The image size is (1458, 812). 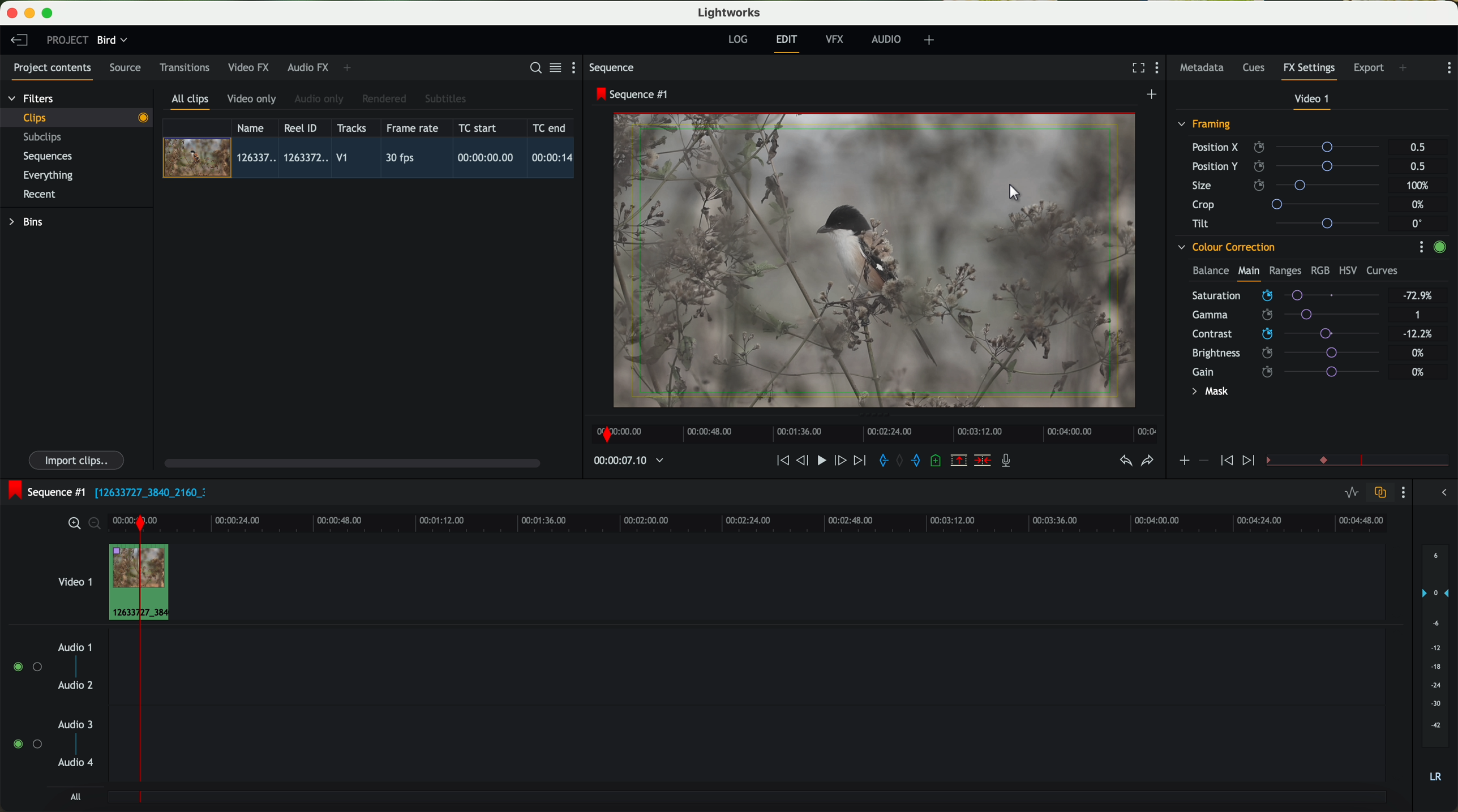 I want to click on framing, so click(x=1205, y=126).